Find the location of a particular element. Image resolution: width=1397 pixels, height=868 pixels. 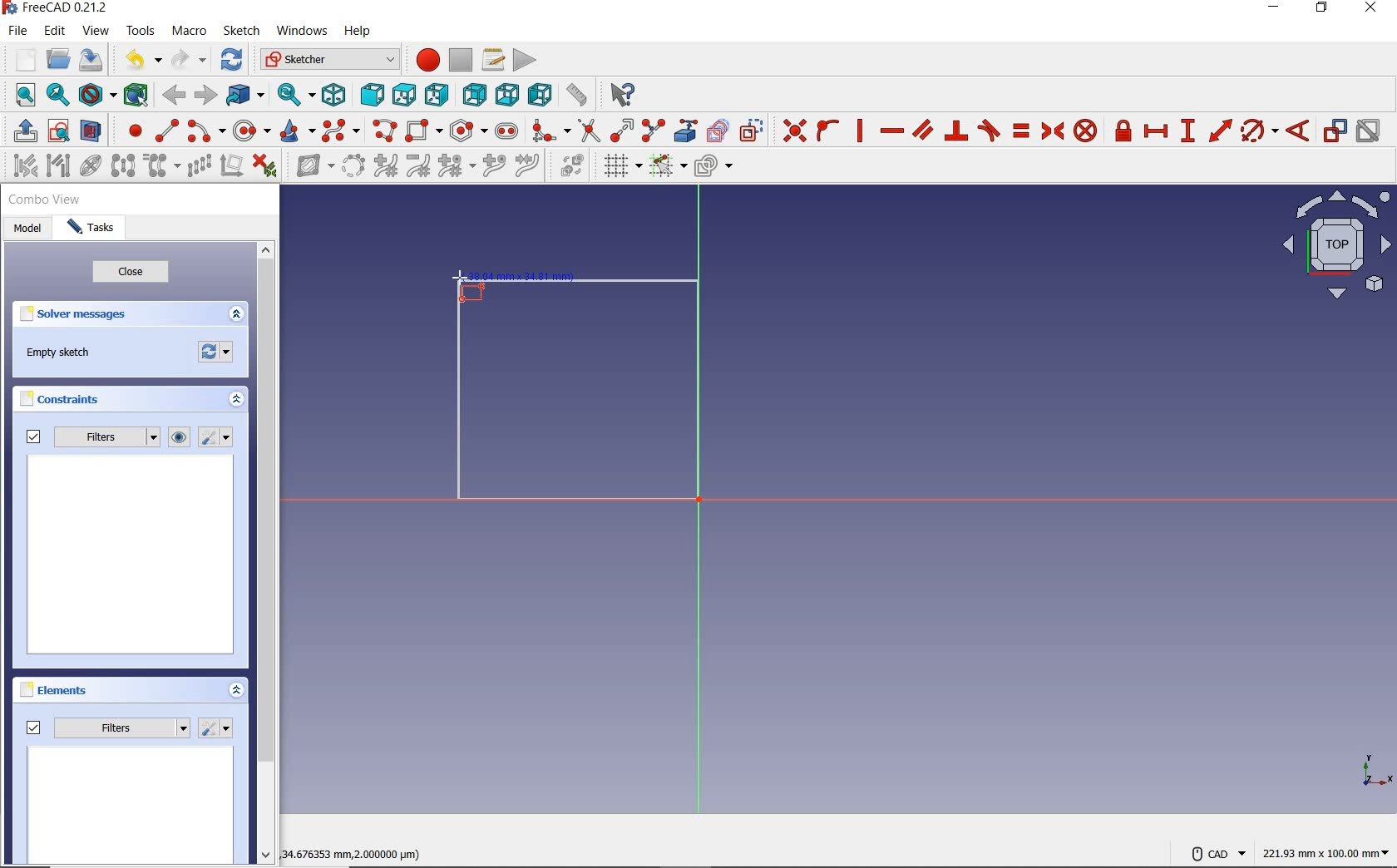

constrain block is located at coordinates (1086, 131).